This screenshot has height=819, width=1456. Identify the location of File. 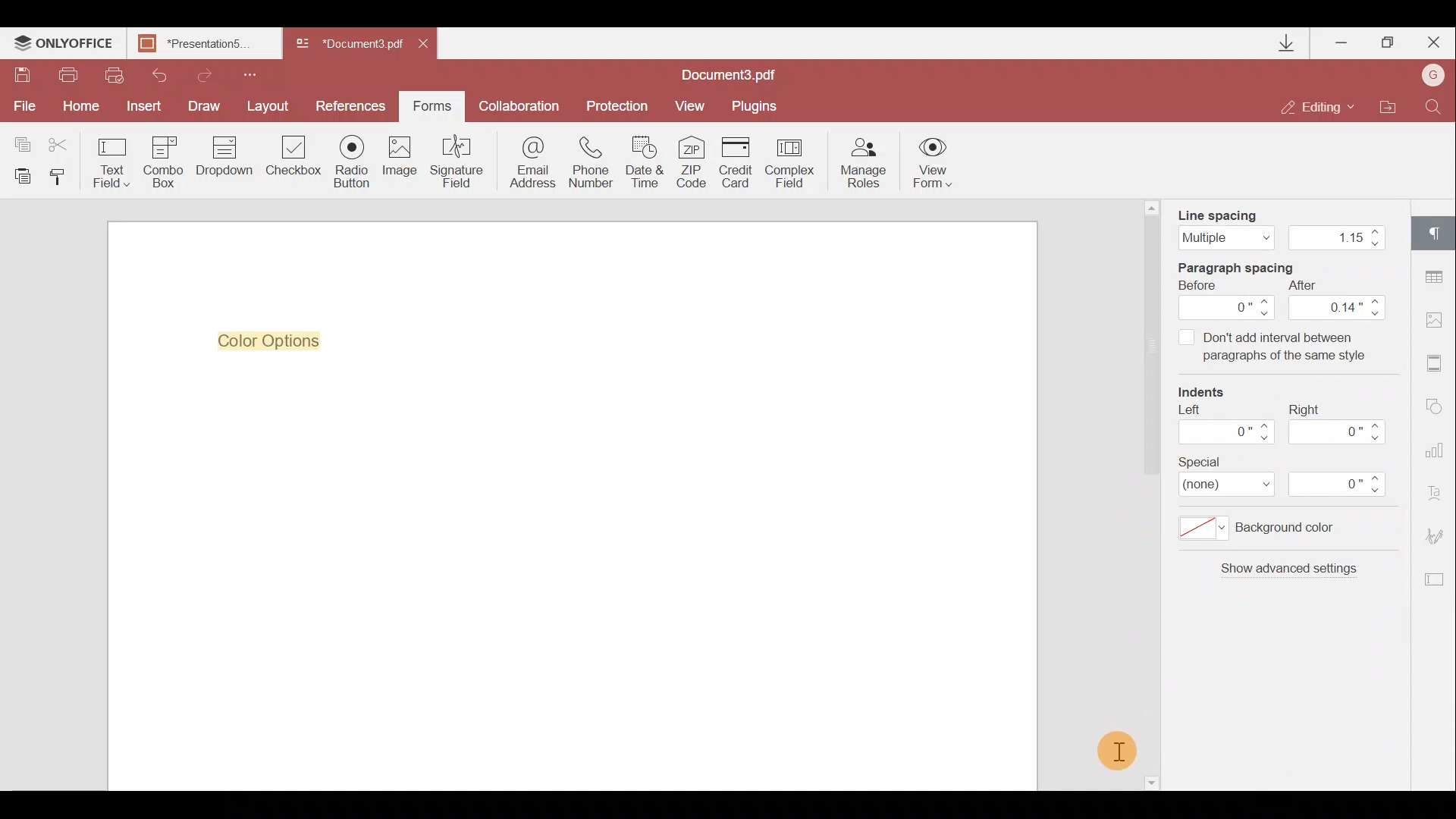
(26, 108).